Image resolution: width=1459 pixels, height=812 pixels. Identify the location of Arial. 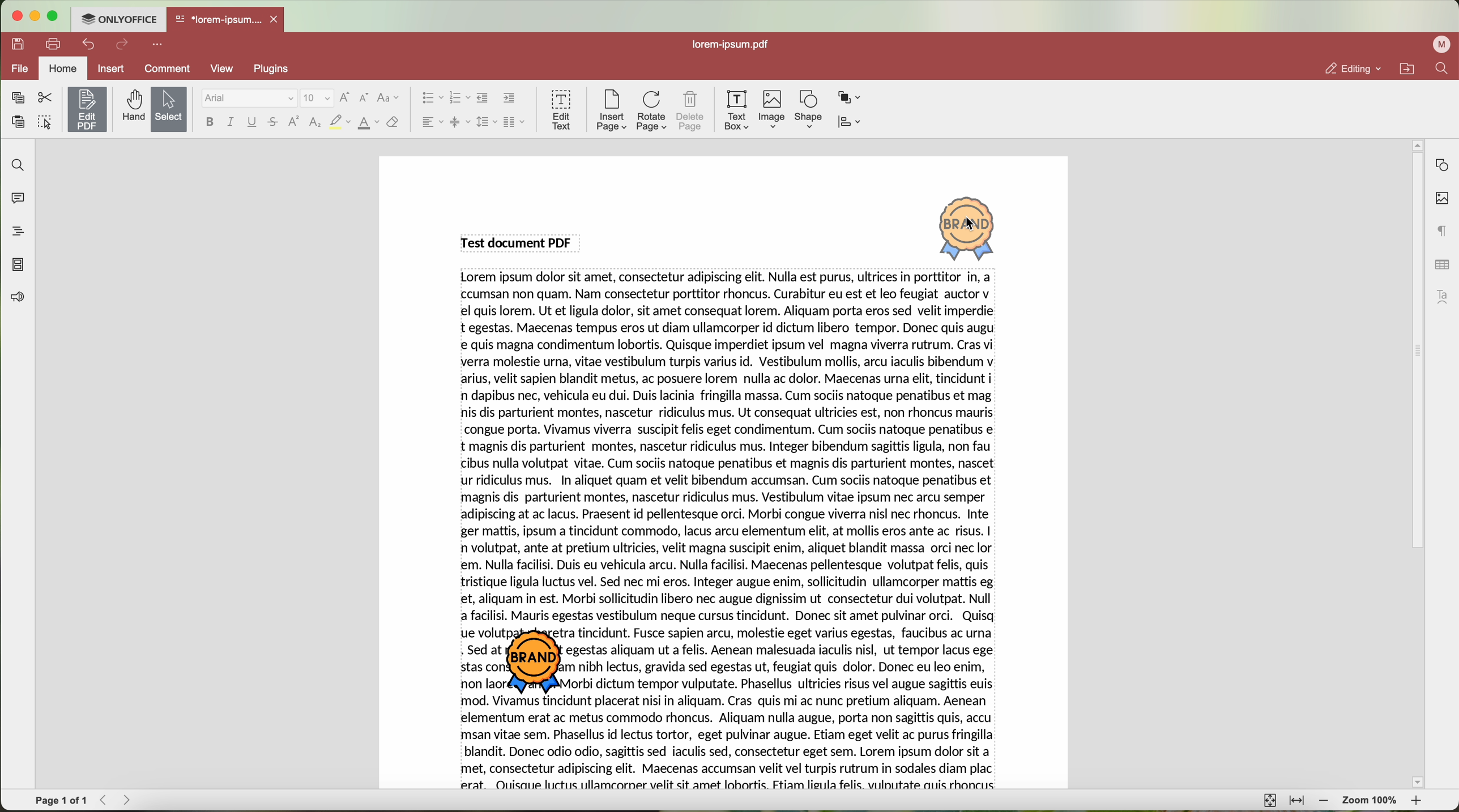
(248, 99).